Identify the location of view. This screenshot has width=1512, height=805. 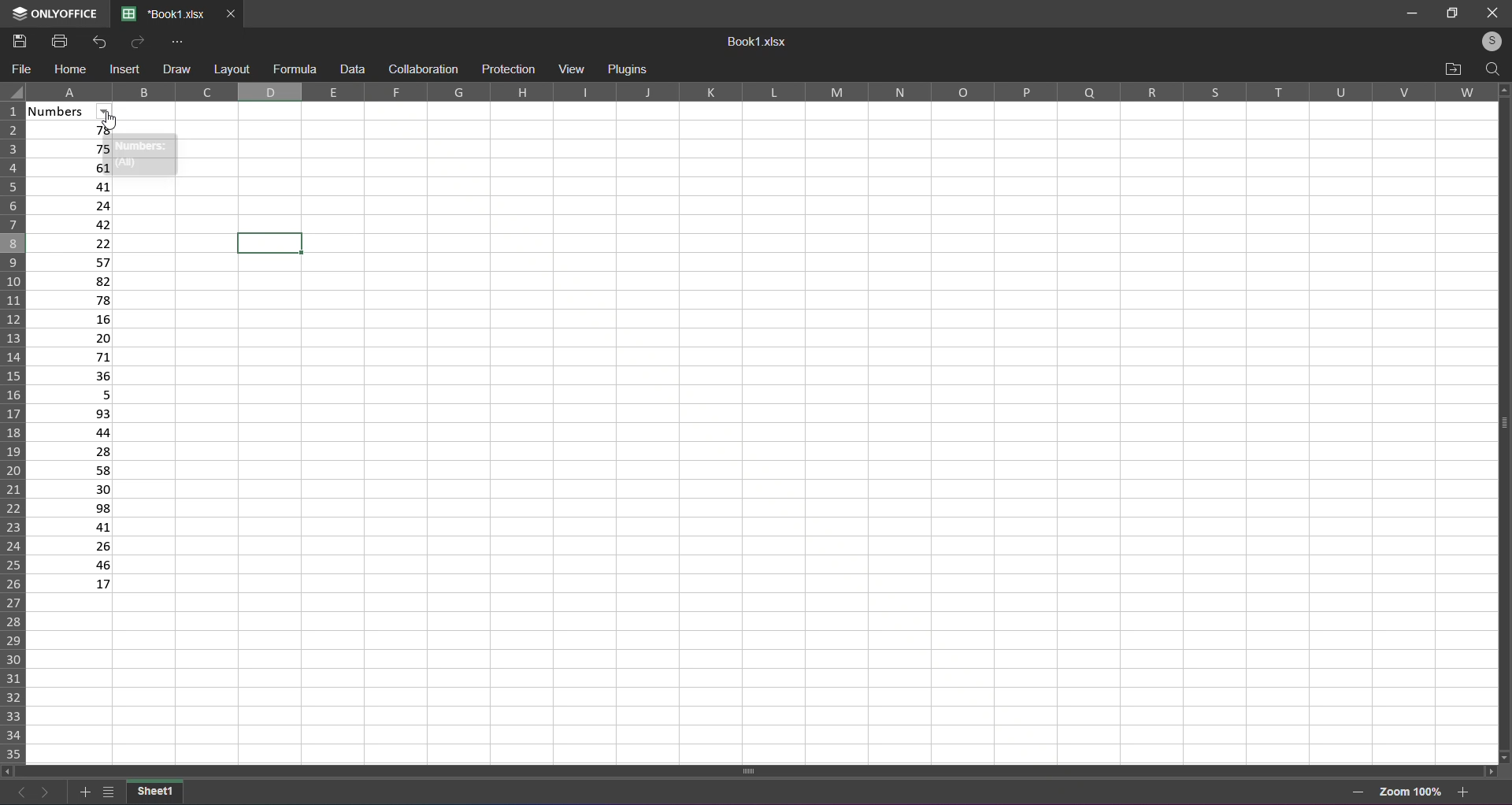
(570, 68).